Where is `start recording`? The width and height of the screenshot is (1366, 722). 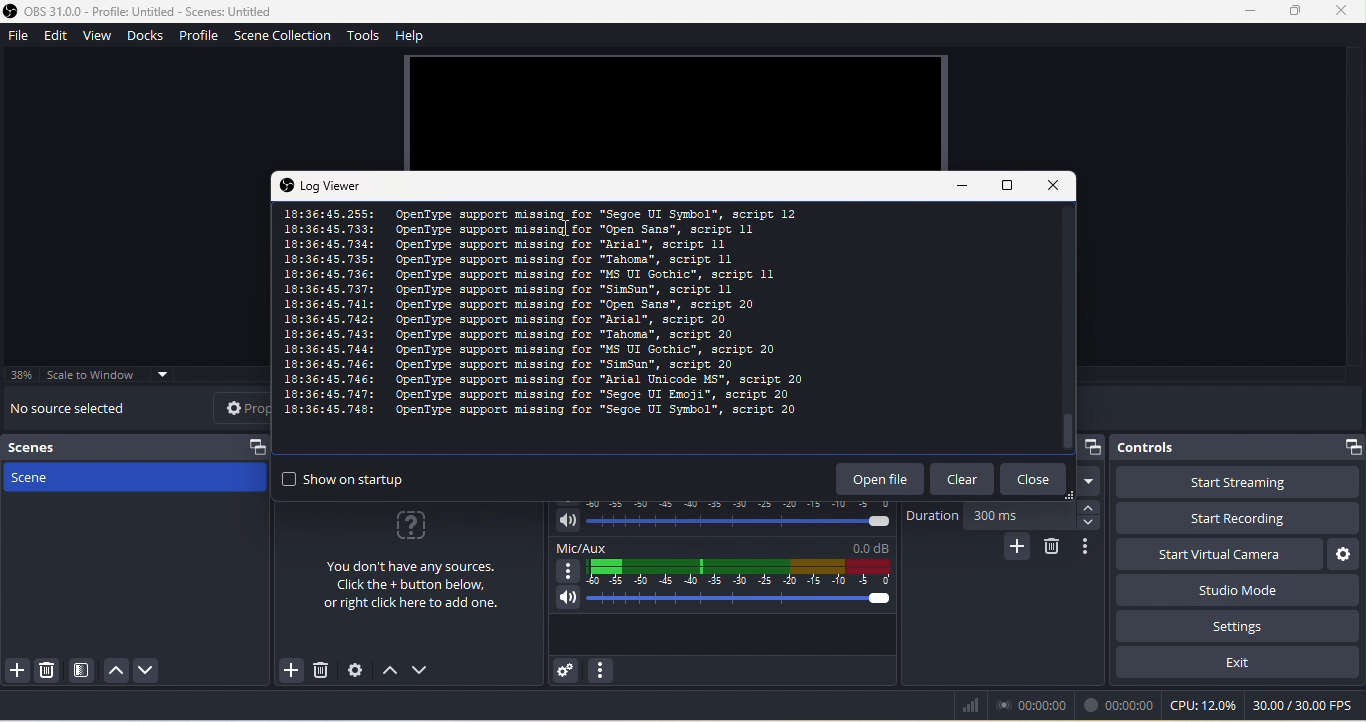 start recording is located at coordinates (1240, 519).